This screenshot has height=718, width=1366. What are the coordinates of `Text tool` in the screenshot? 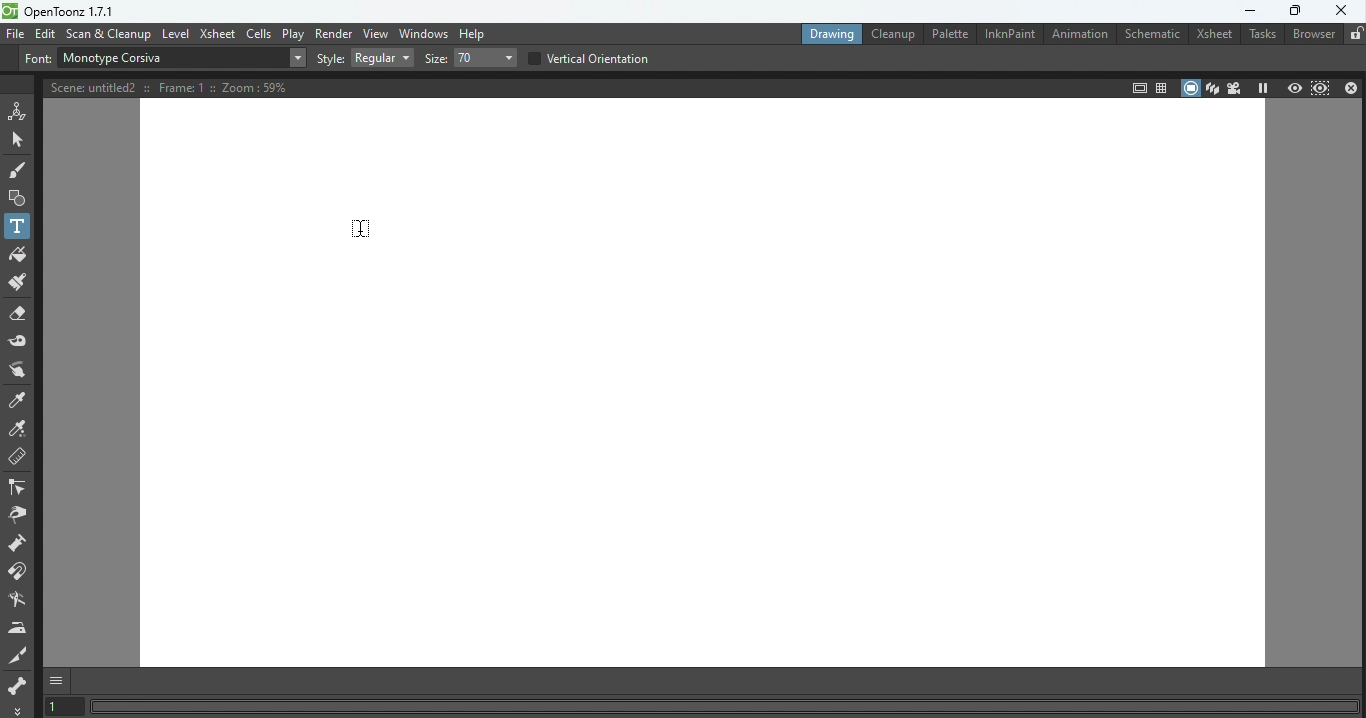 It's located at (19, 226).